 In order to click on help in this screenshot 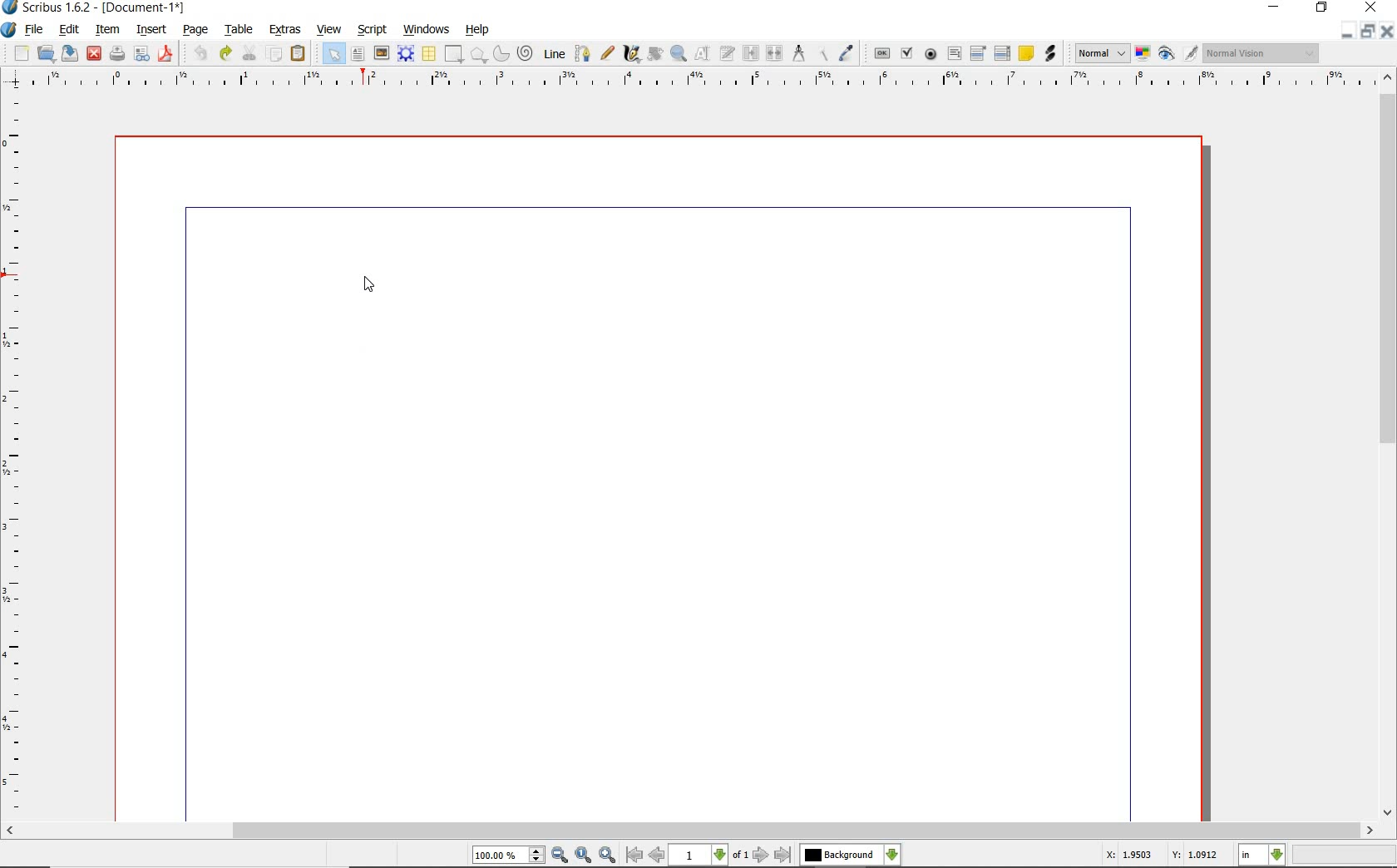, I will do `click(477, 30)`.